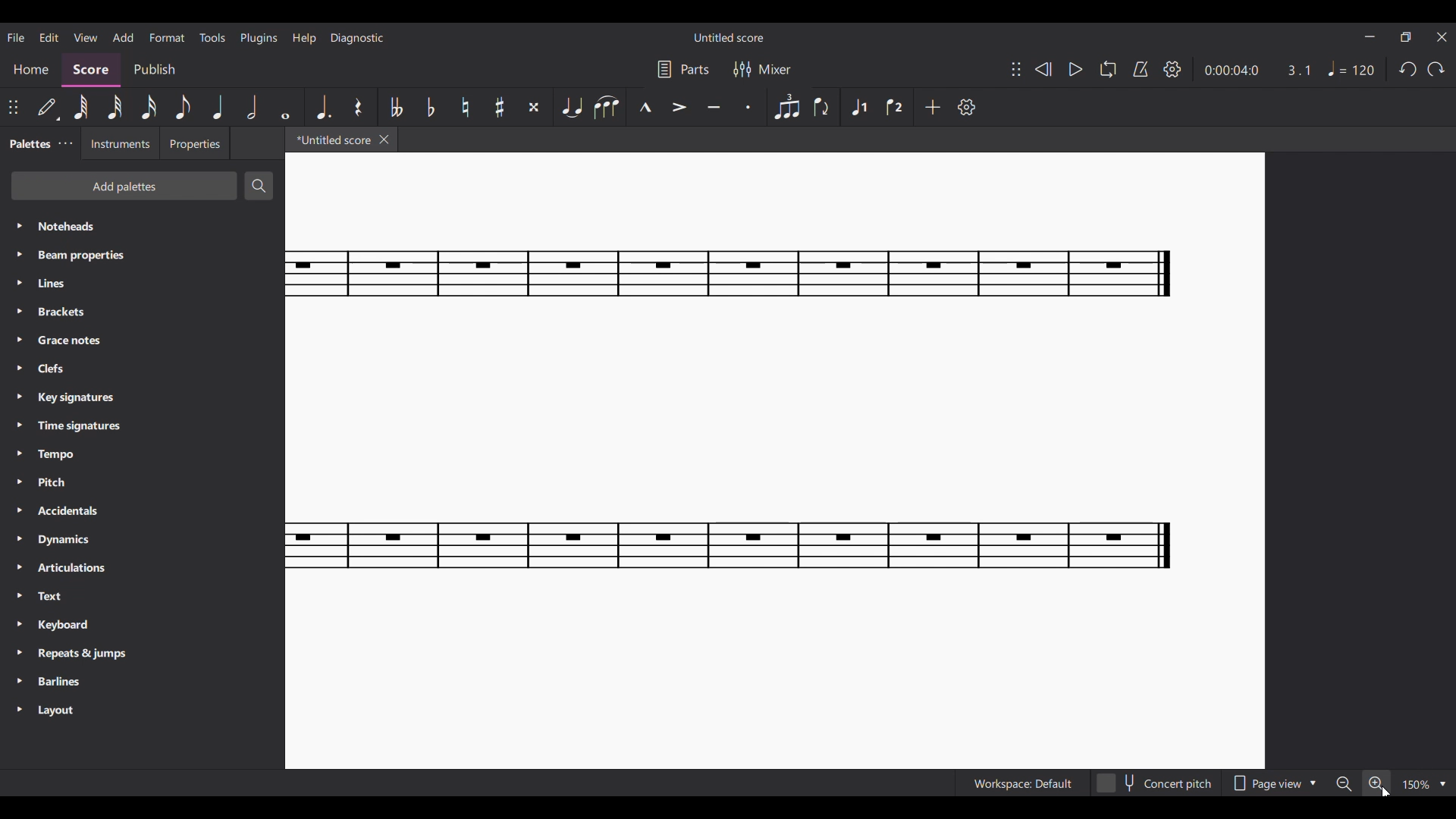  What do you see at coordinates (124, 37) in the screenshot?
I see `Add menu` at bounding box center [124, 37].